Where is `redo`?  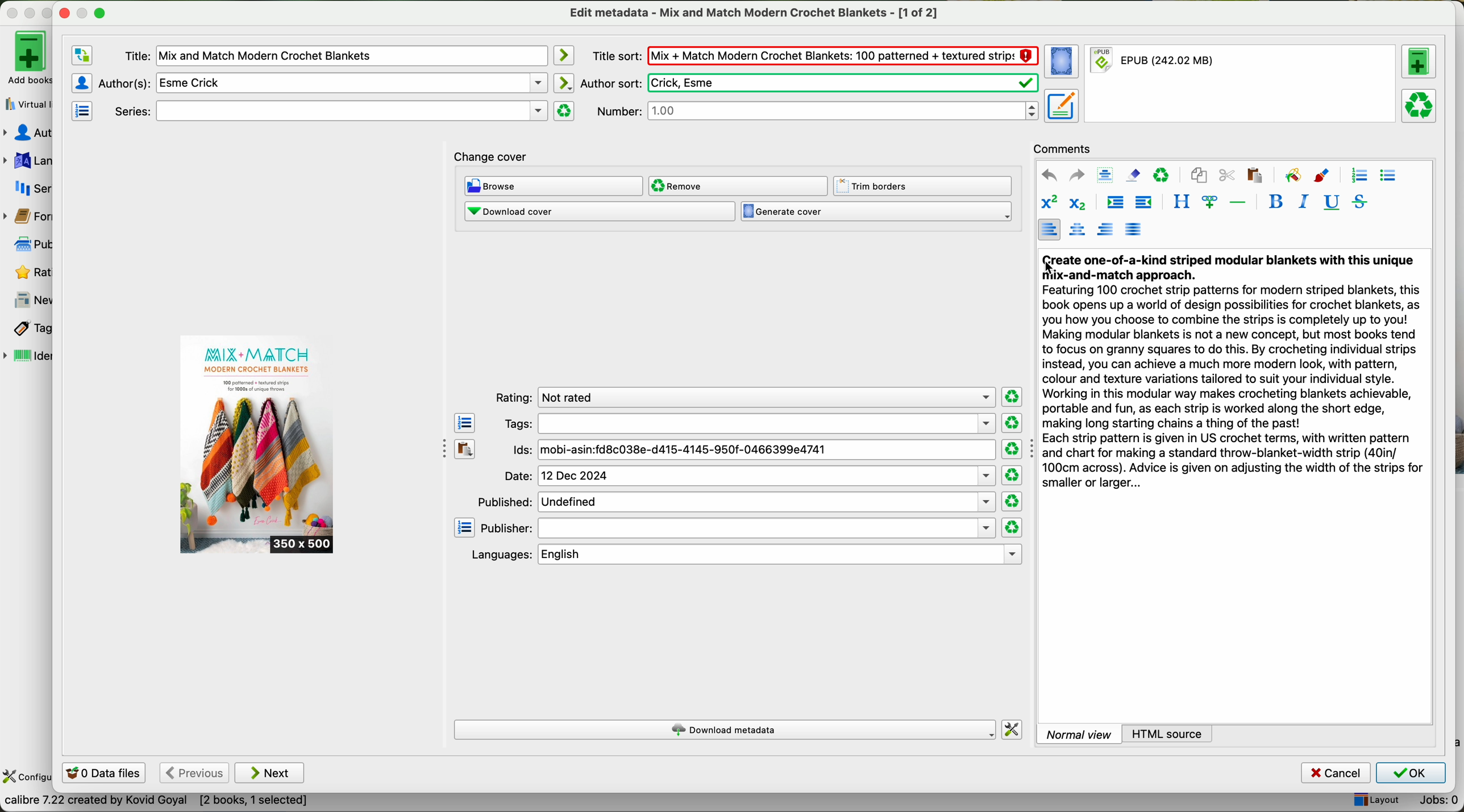 redo is located at coordinates (1076, 174).